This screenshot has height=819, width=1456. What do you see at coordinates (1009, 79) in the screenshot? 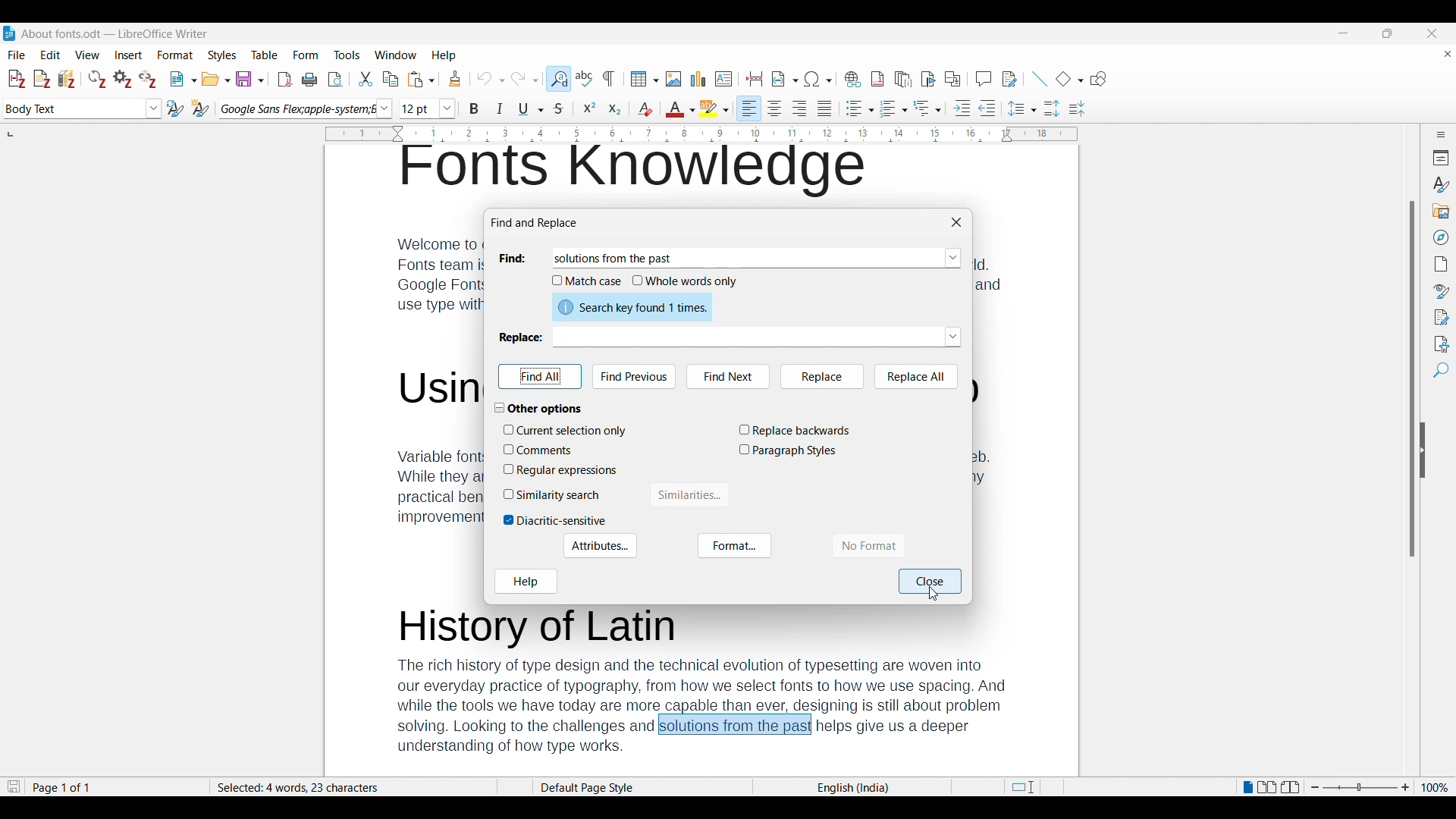
I see `Show track changes functions ` at bounding box center [1009, 79].